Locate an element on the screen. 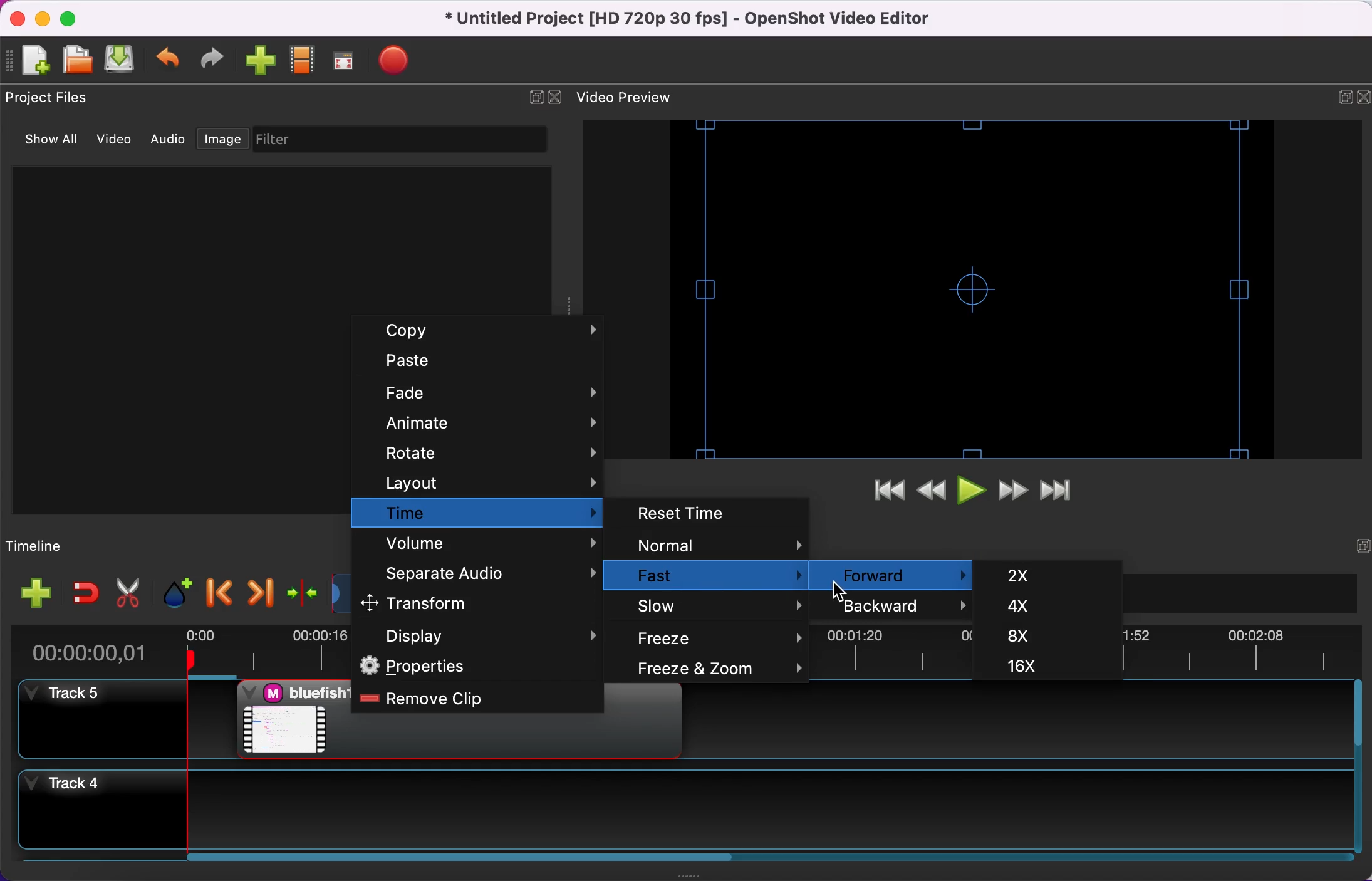 The width and height of the screenshot is (1372, 881). minimize is located at coordinates (44, 18).